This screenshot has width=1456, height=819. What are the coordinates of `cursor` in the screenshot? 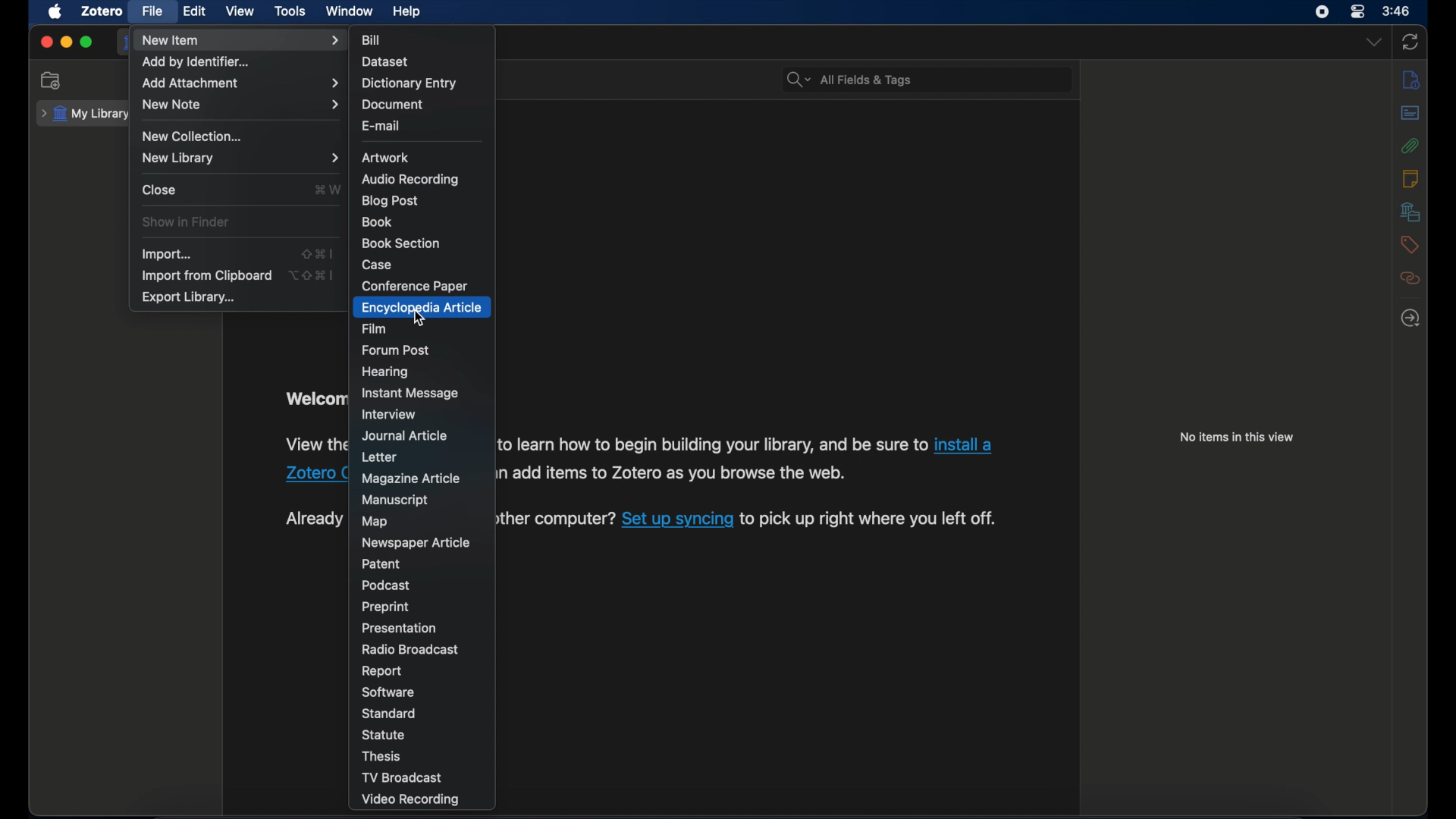 It's located at (422, 319).